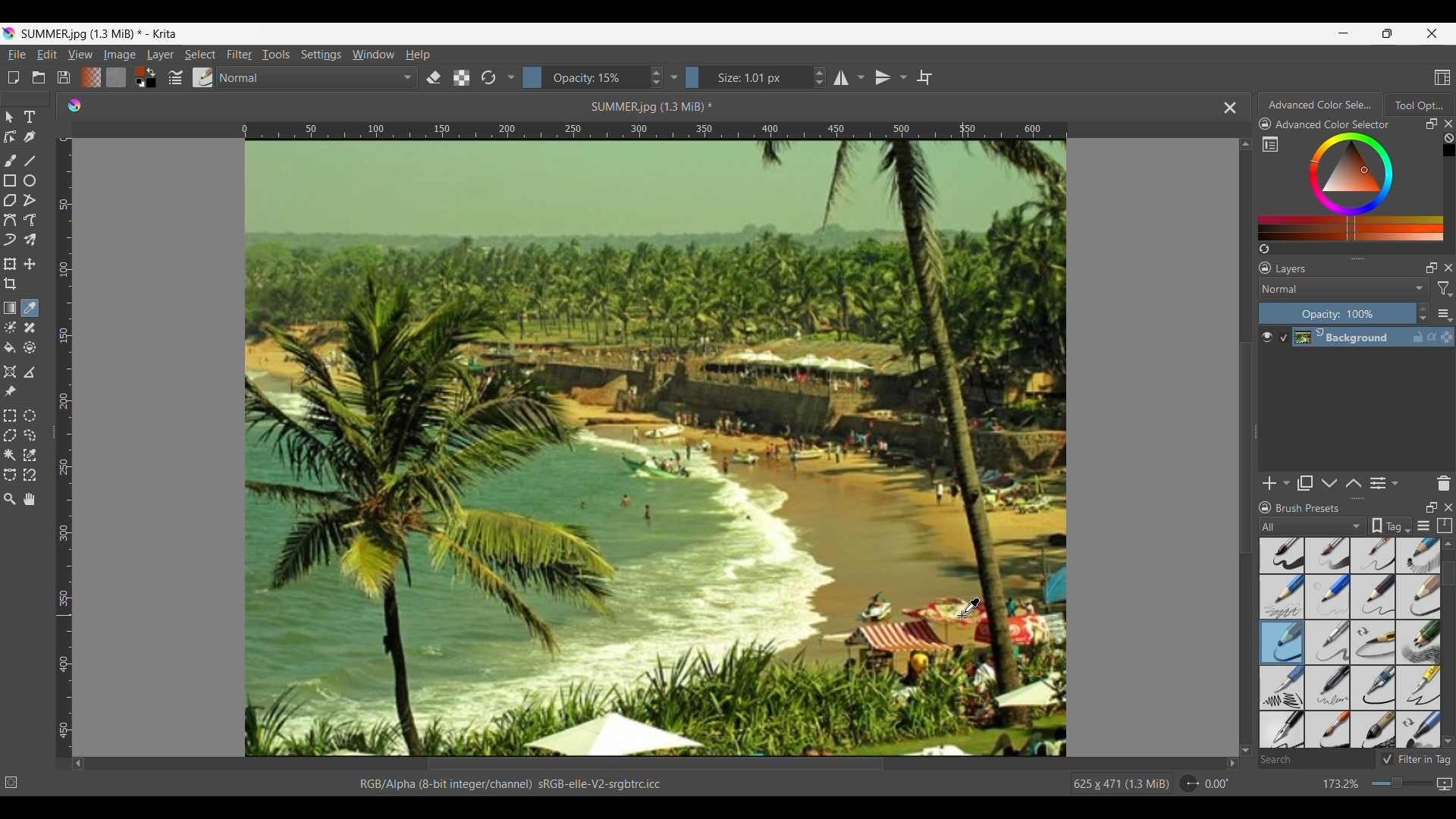 This screenshot has width=1456, height=819. Describe the element at coordinates (882, 77) in the screenshot. I see `Vertical mirror tool` at that location.